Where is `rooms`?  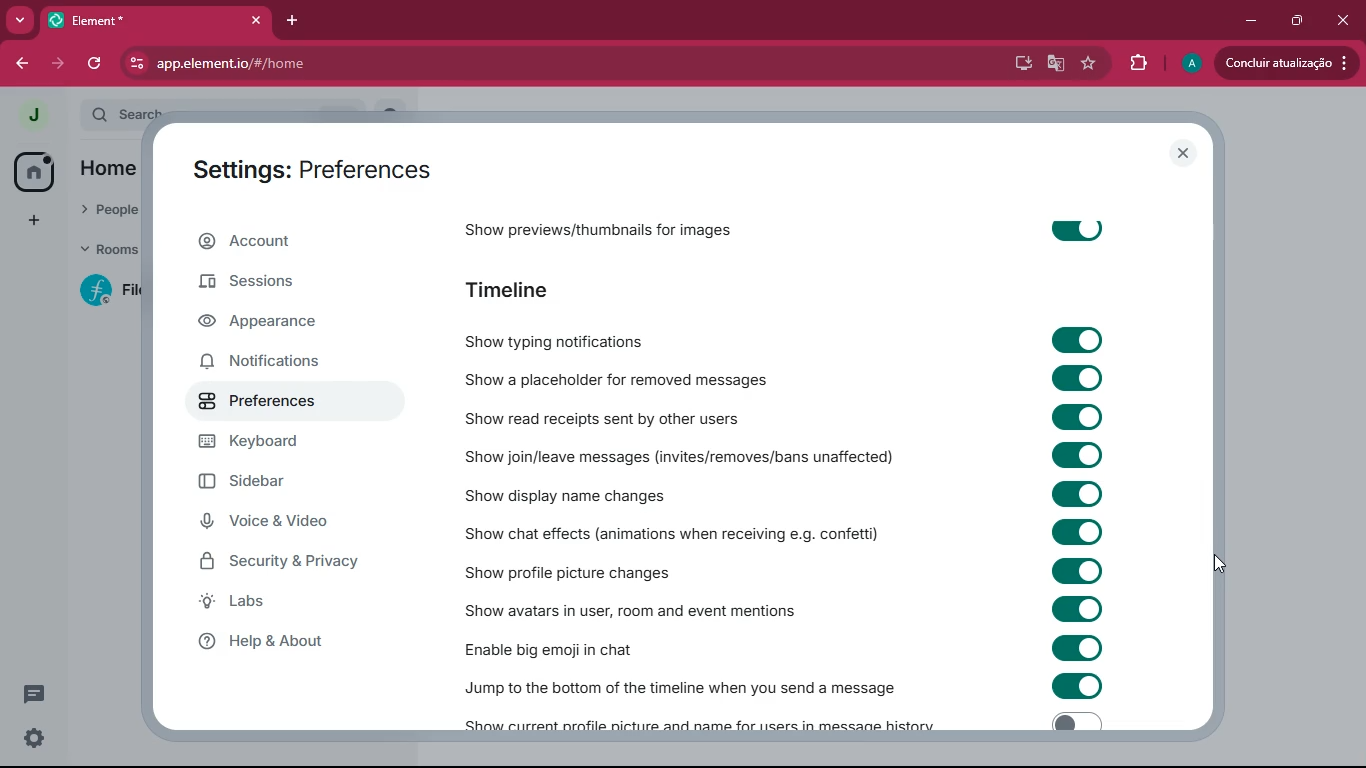 rooms is located at coordinates (108, 250).